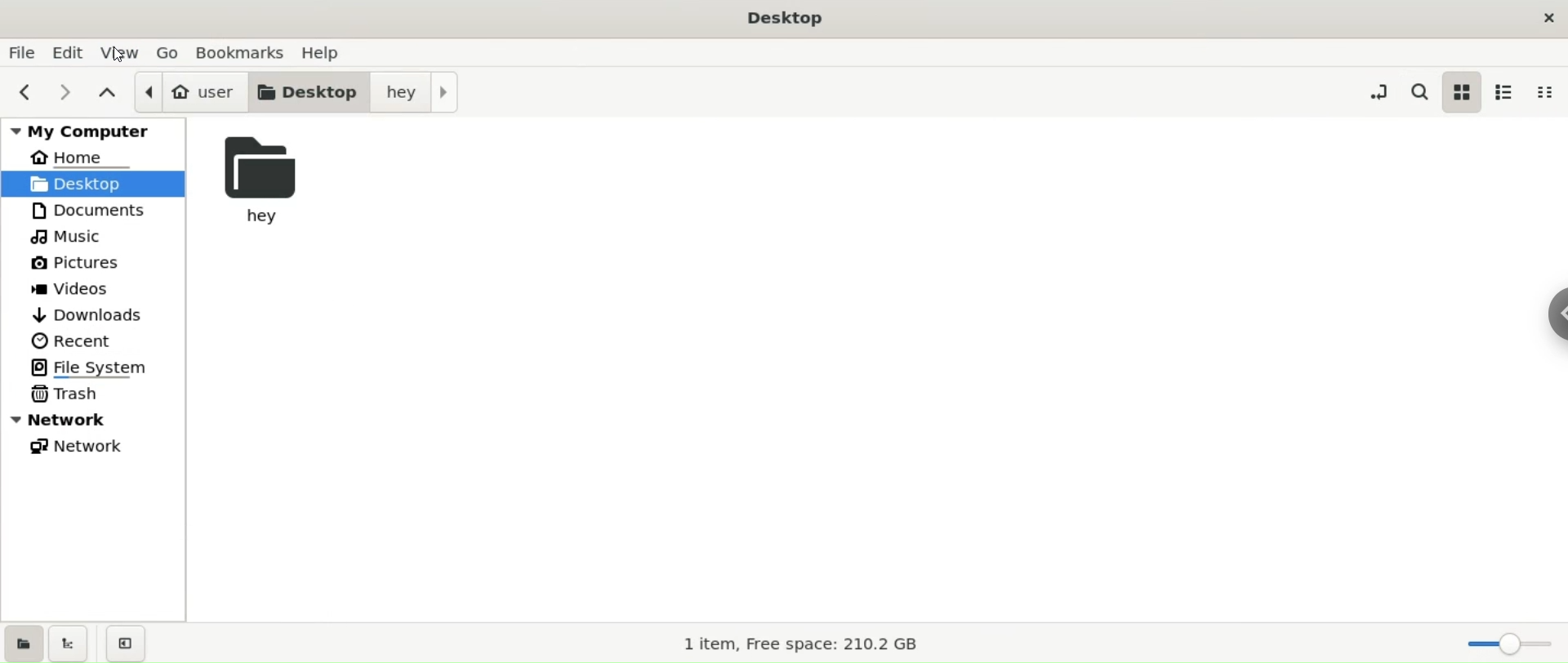 This screenshot has width=1568, height=663. What do you see at coordinates (104, 366) in the screenshot?
I see `file system` at bounding box center [104, 366].